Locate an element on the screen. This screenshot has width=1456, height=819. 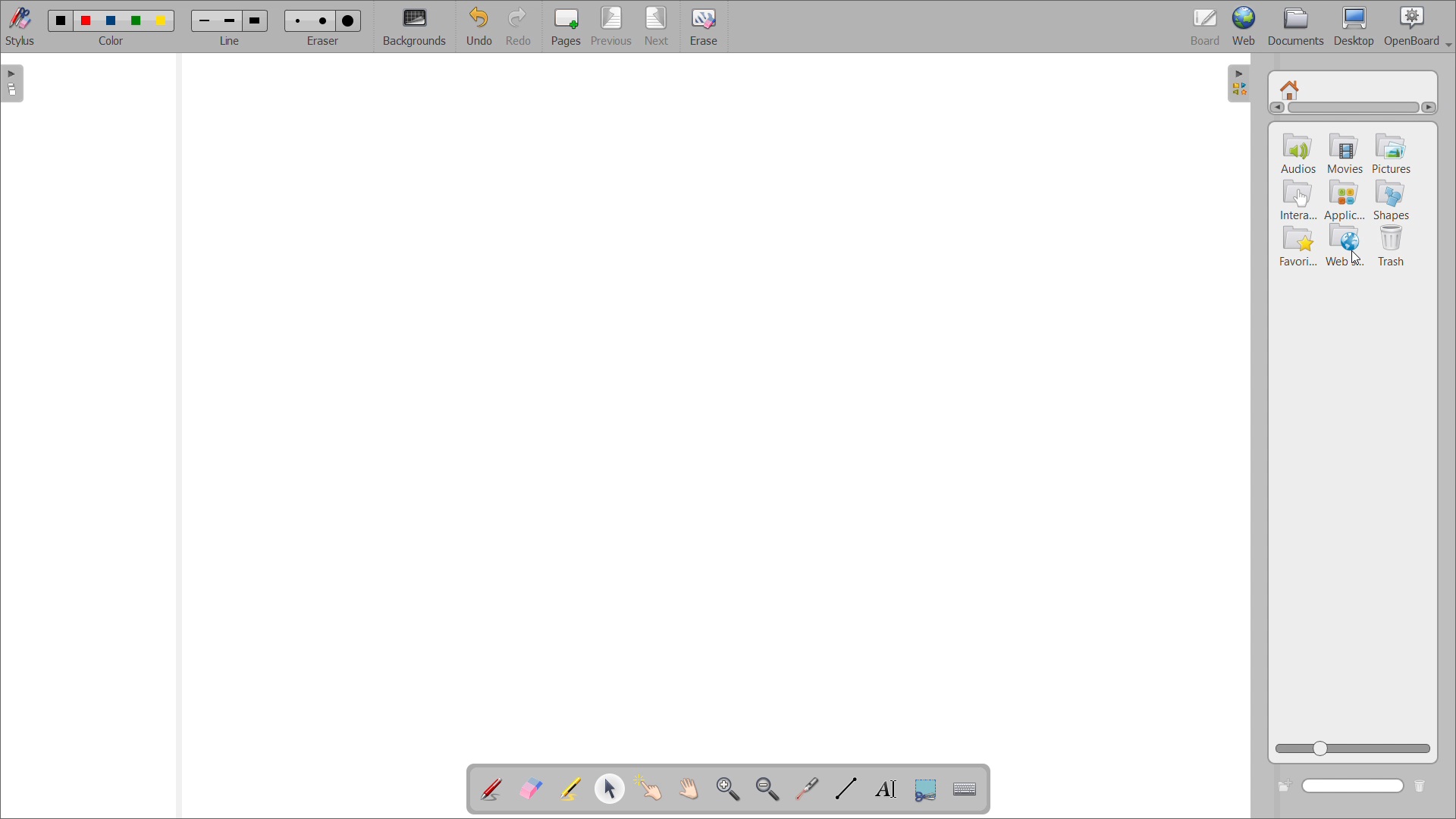
Medium line is located at coordinates (231, 20).